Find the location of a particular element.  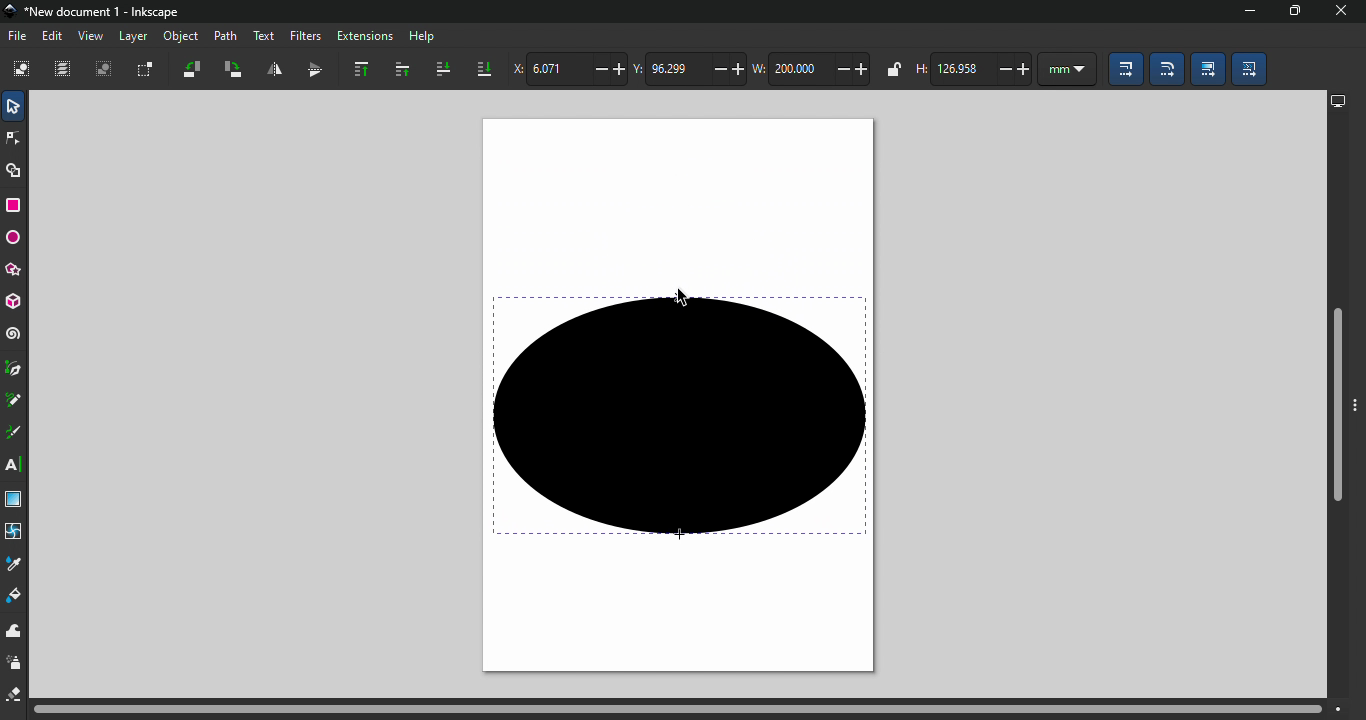

Filters is located at coordinates (305, 36).